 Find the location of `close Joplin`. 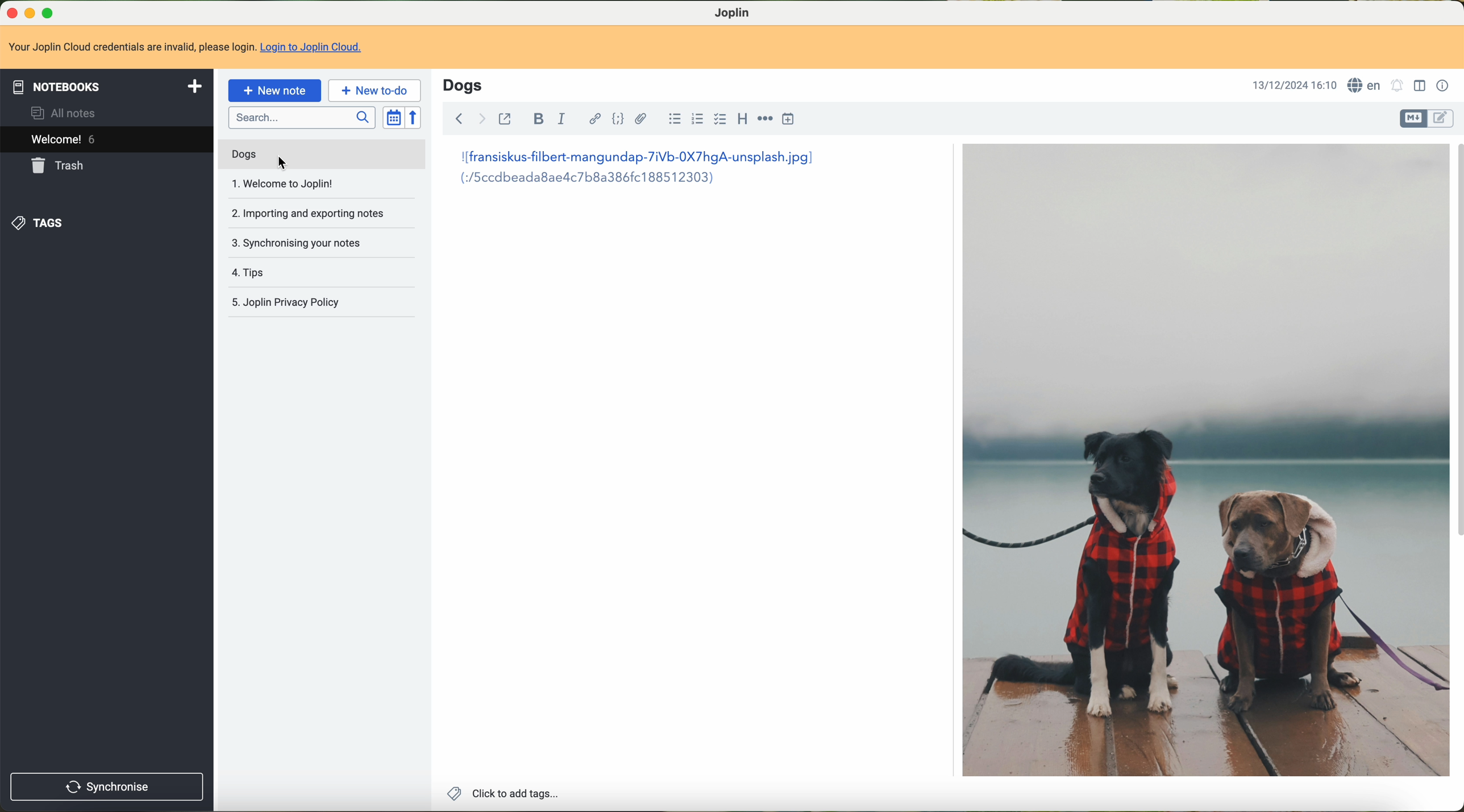

close Joplin is located at coordinates (9, 12).